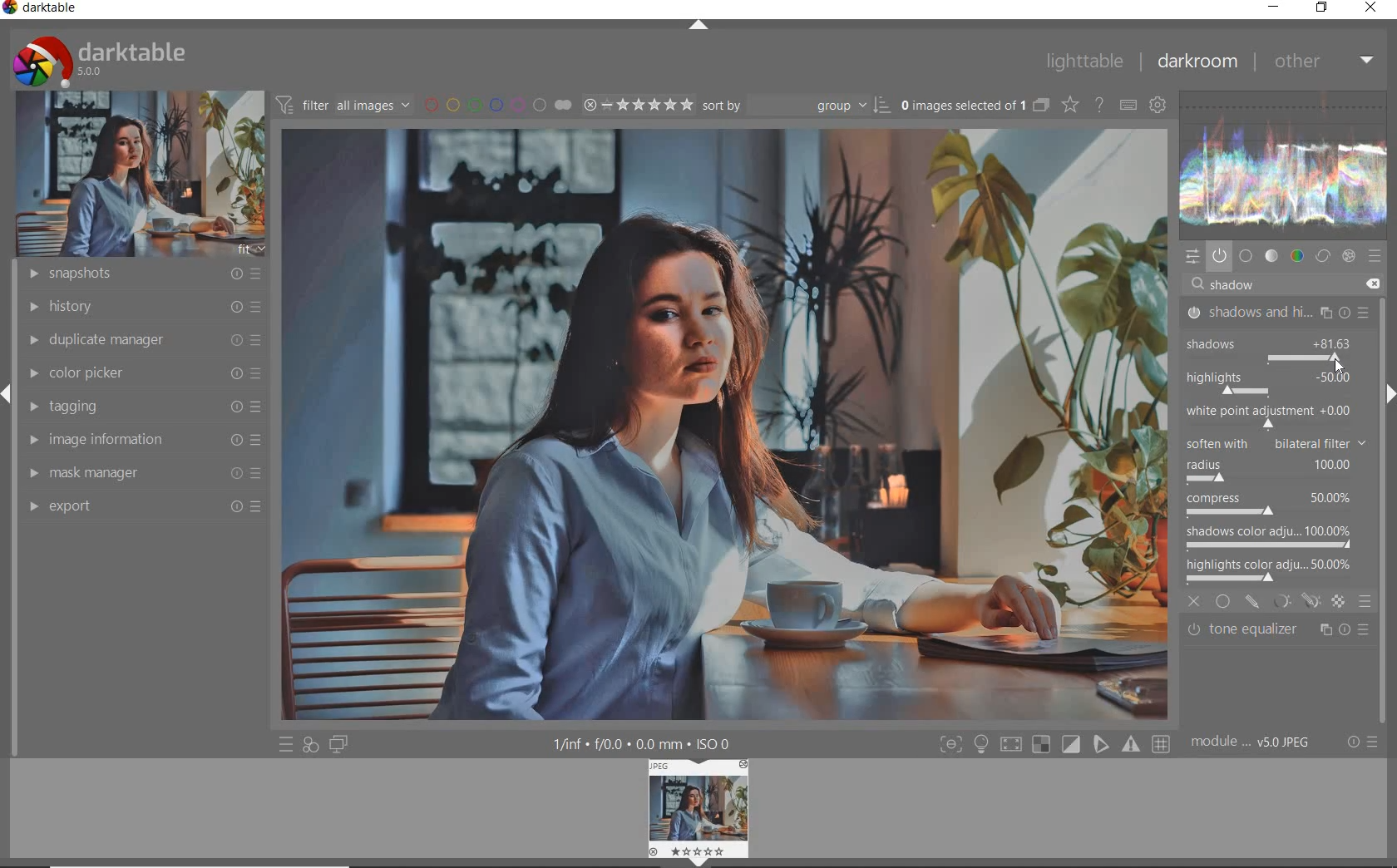  I want to click on image information, so click(143, 440).